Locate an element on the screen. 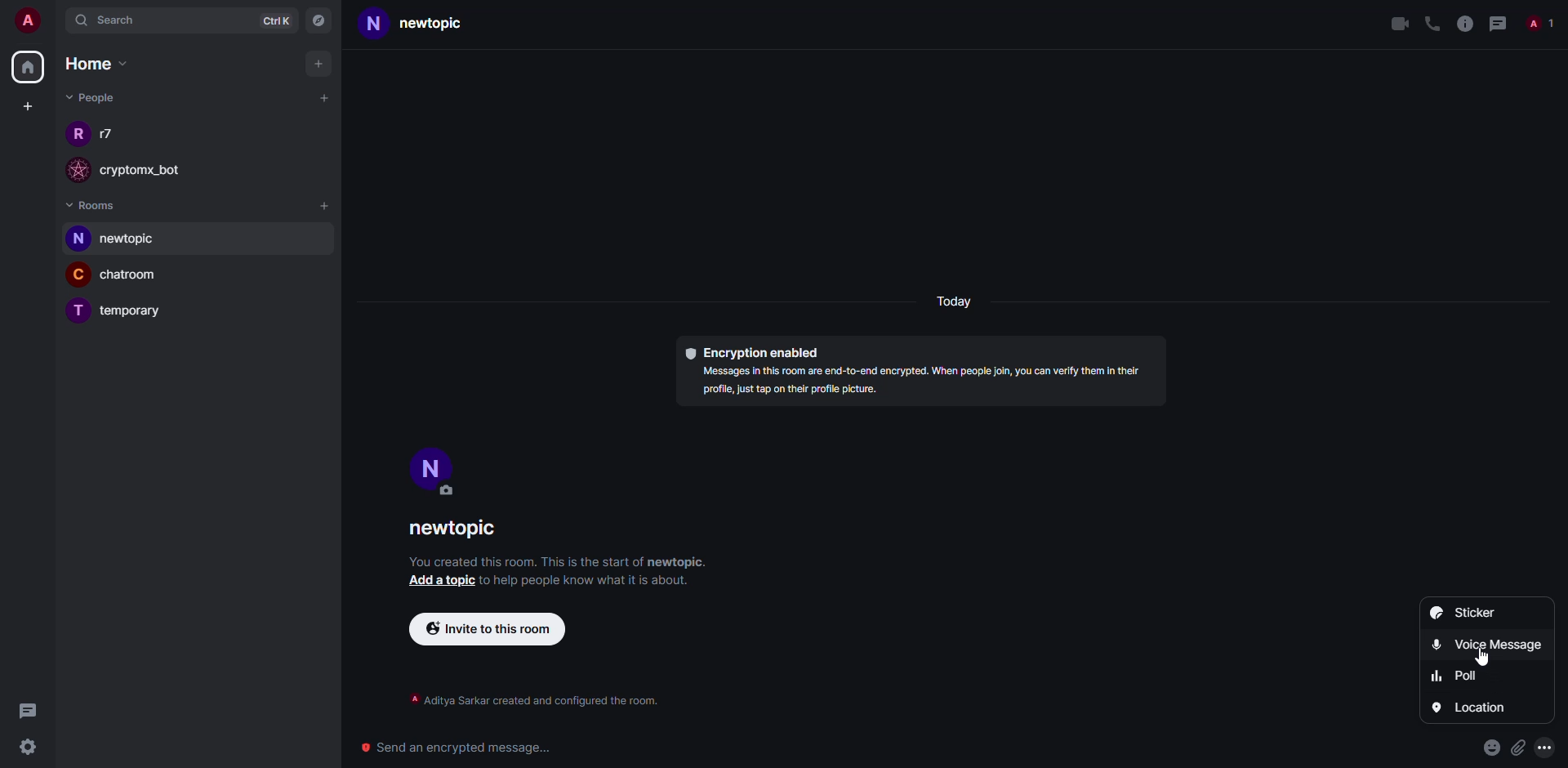 This screenshot has height=768, width=1568. N is located at coordinates (78, 239).